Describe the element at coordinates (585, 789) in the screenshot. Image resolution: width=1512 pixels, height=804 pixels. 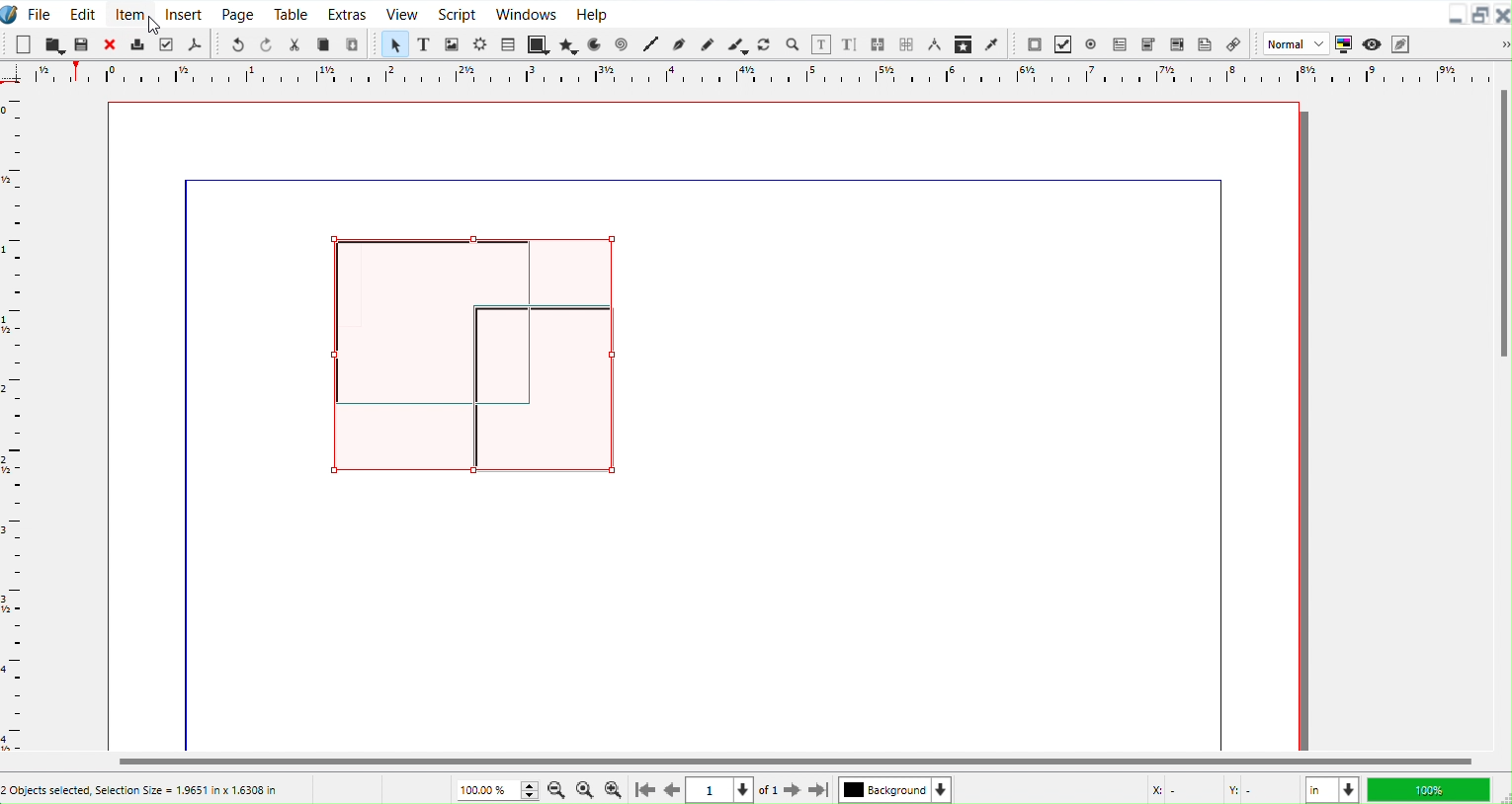
I see `Zoom to 100%` at that location.